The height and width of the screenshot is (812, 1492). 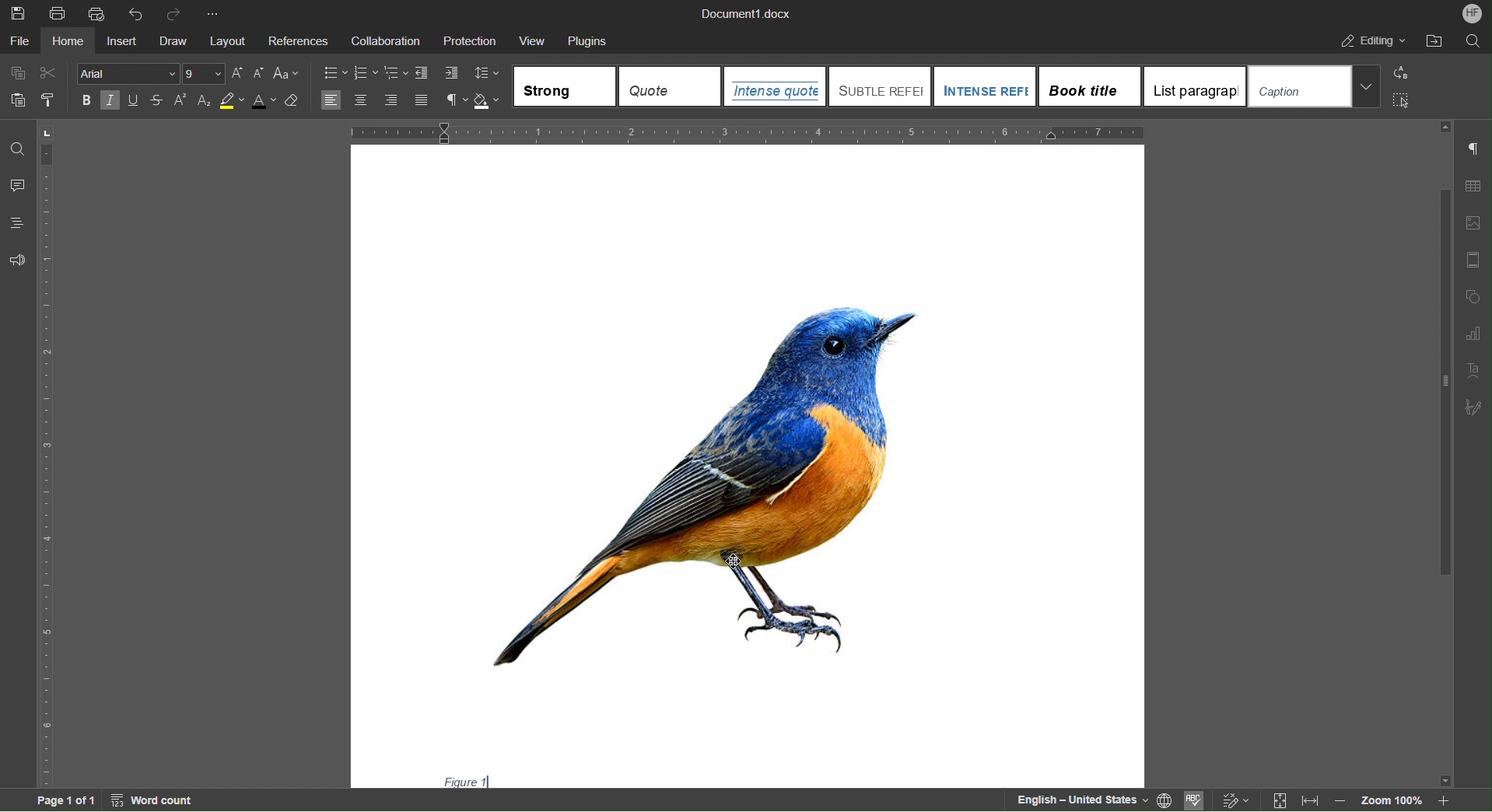 What do you see at coordinates (203, 101) in the screenshot?
I see `Subscript` at bounding box center [203, 101].